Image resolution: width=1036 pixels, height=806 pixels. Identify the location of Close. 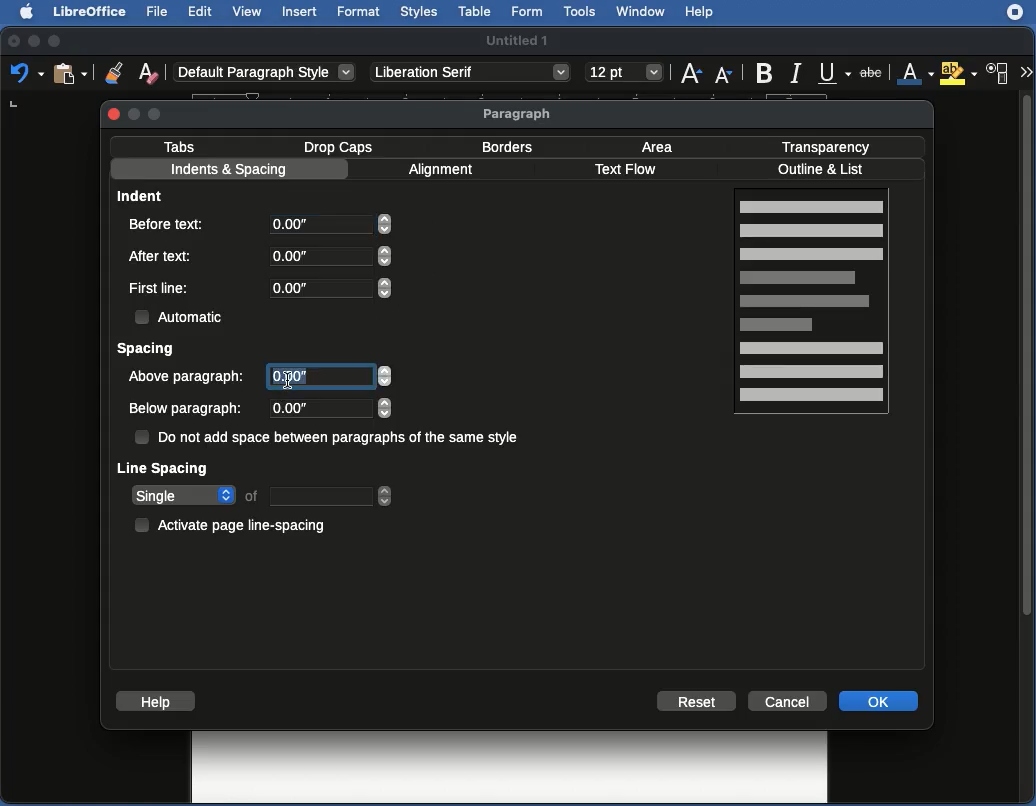
(114, 113).